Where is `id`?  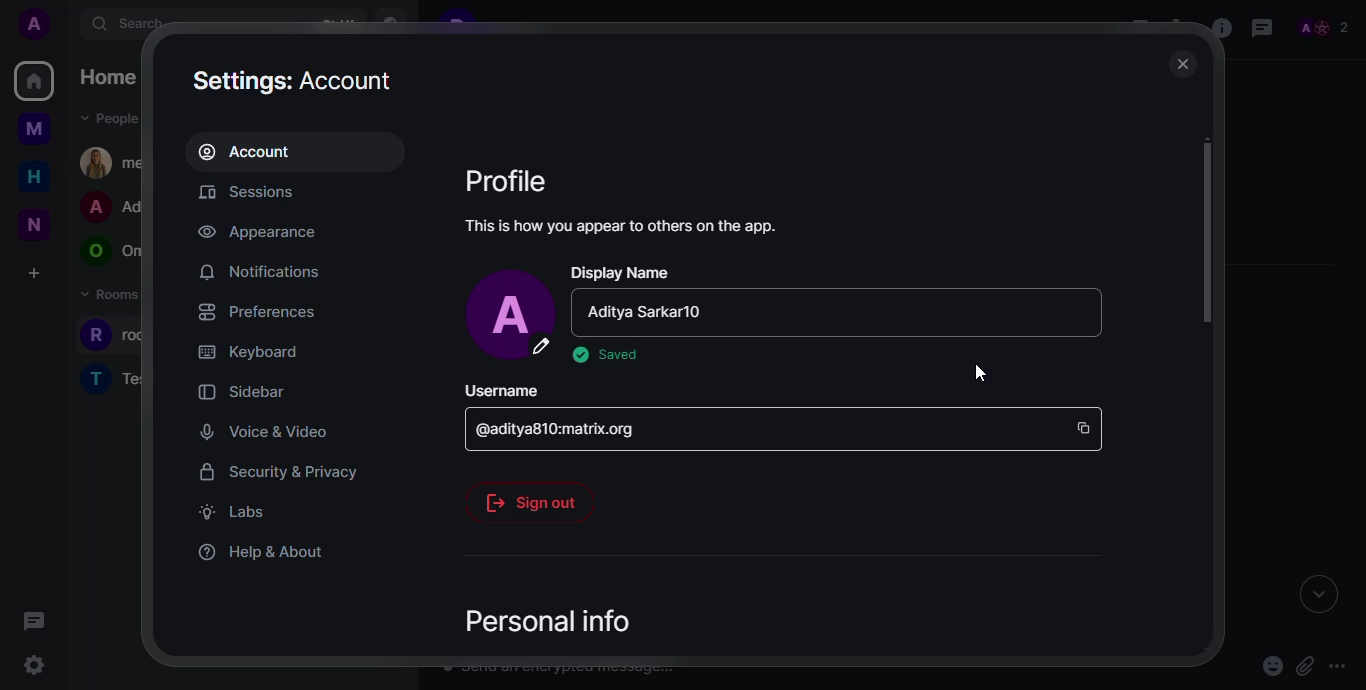
id is located at coordinates (565, 426).